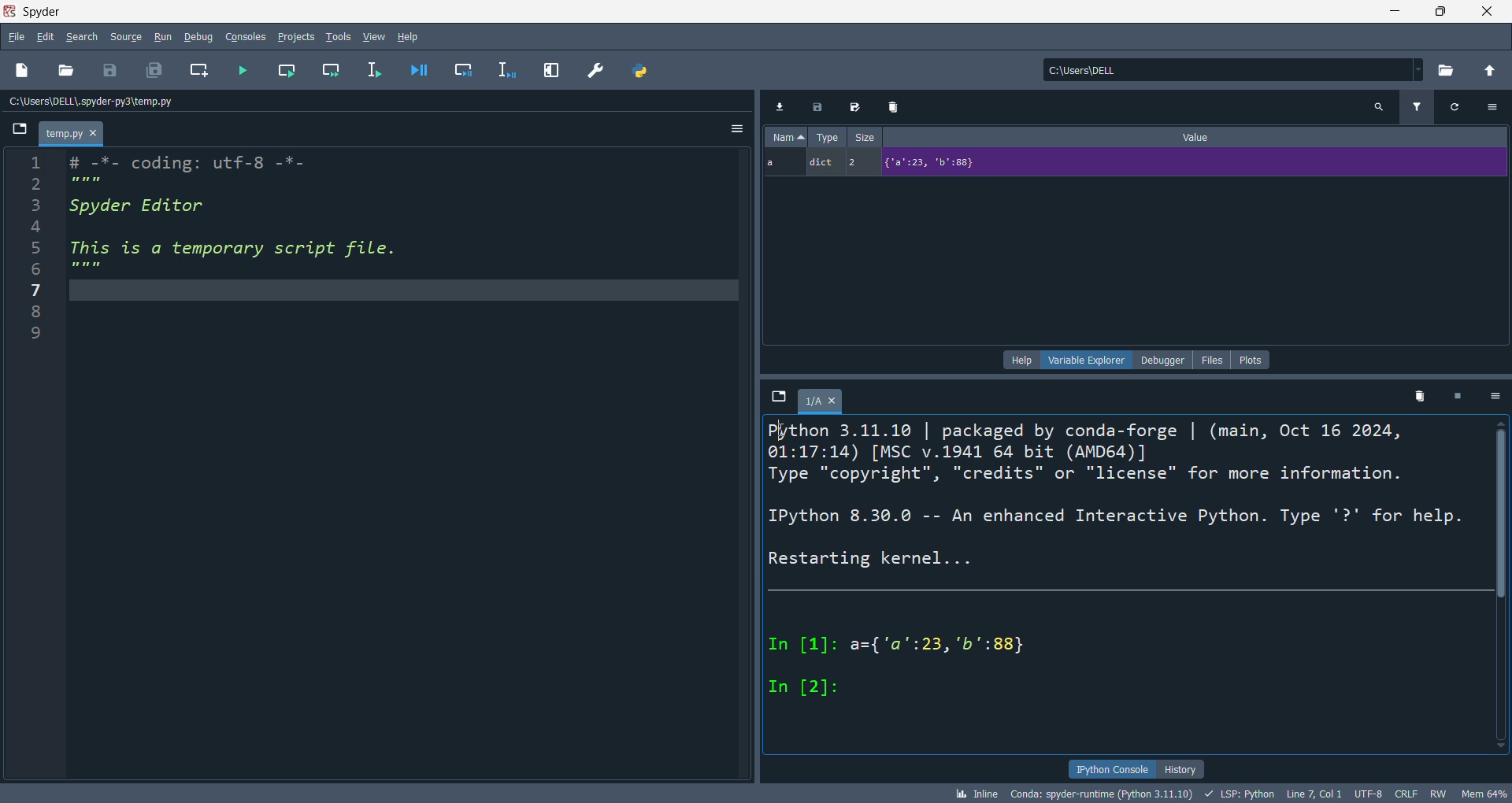  Describe the element at coordinates (1238, 794) in the screenshot. I see `LSP: Python` at that location.